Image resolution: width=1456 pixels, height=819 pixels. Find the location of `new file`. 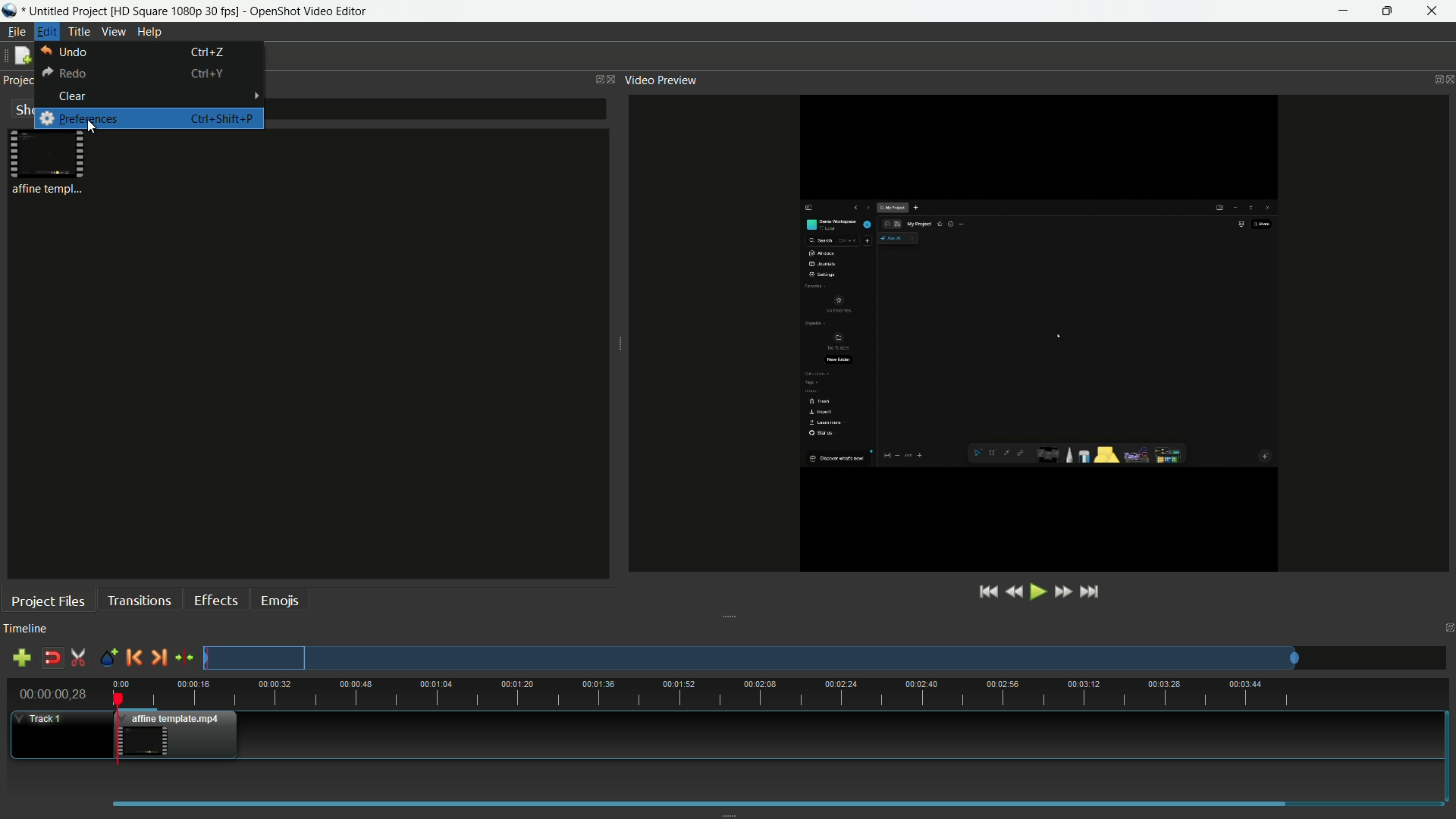

new file is located at coordinates (20, 56).